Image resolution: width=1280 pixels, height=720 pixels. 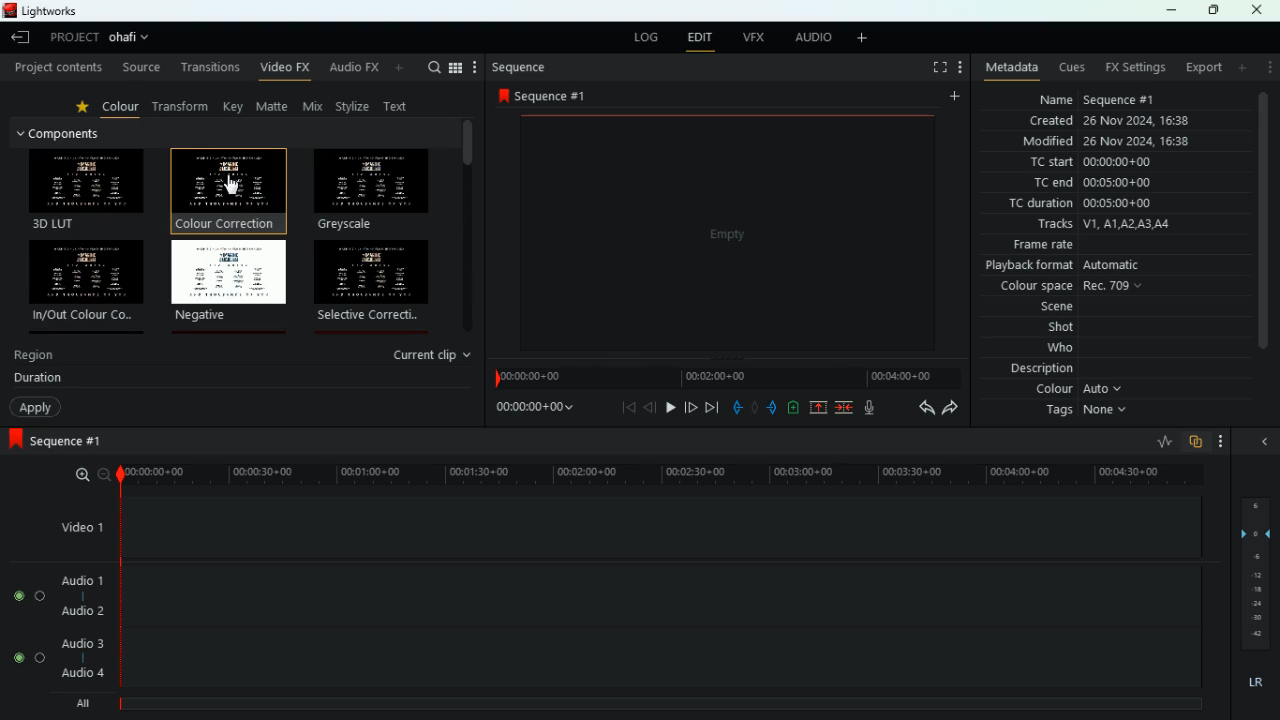 I want to click on opener, so click(x=1266, y=442).